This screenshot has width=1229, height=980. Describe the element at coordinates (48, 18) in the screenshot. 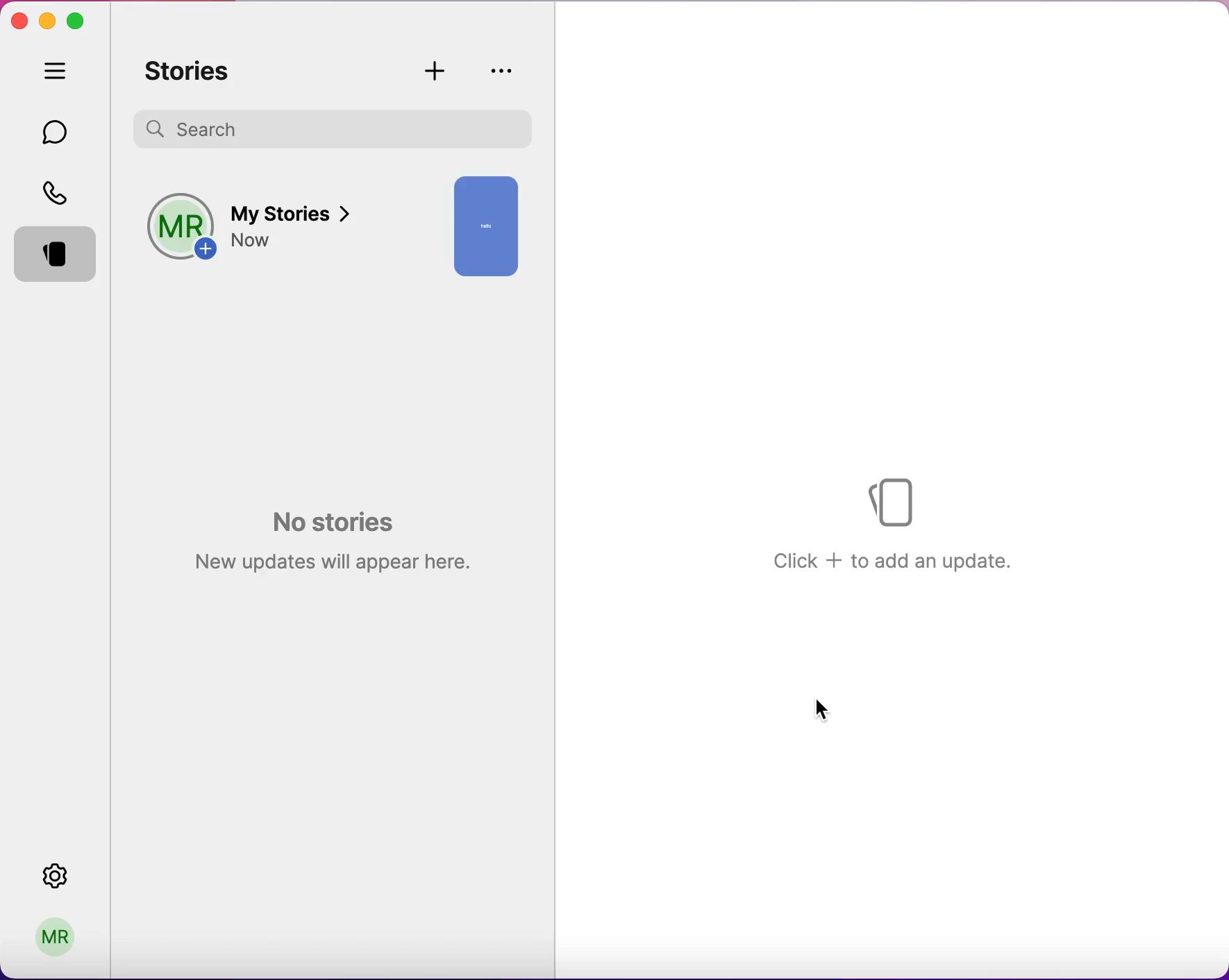

I see `minimize` at that location.